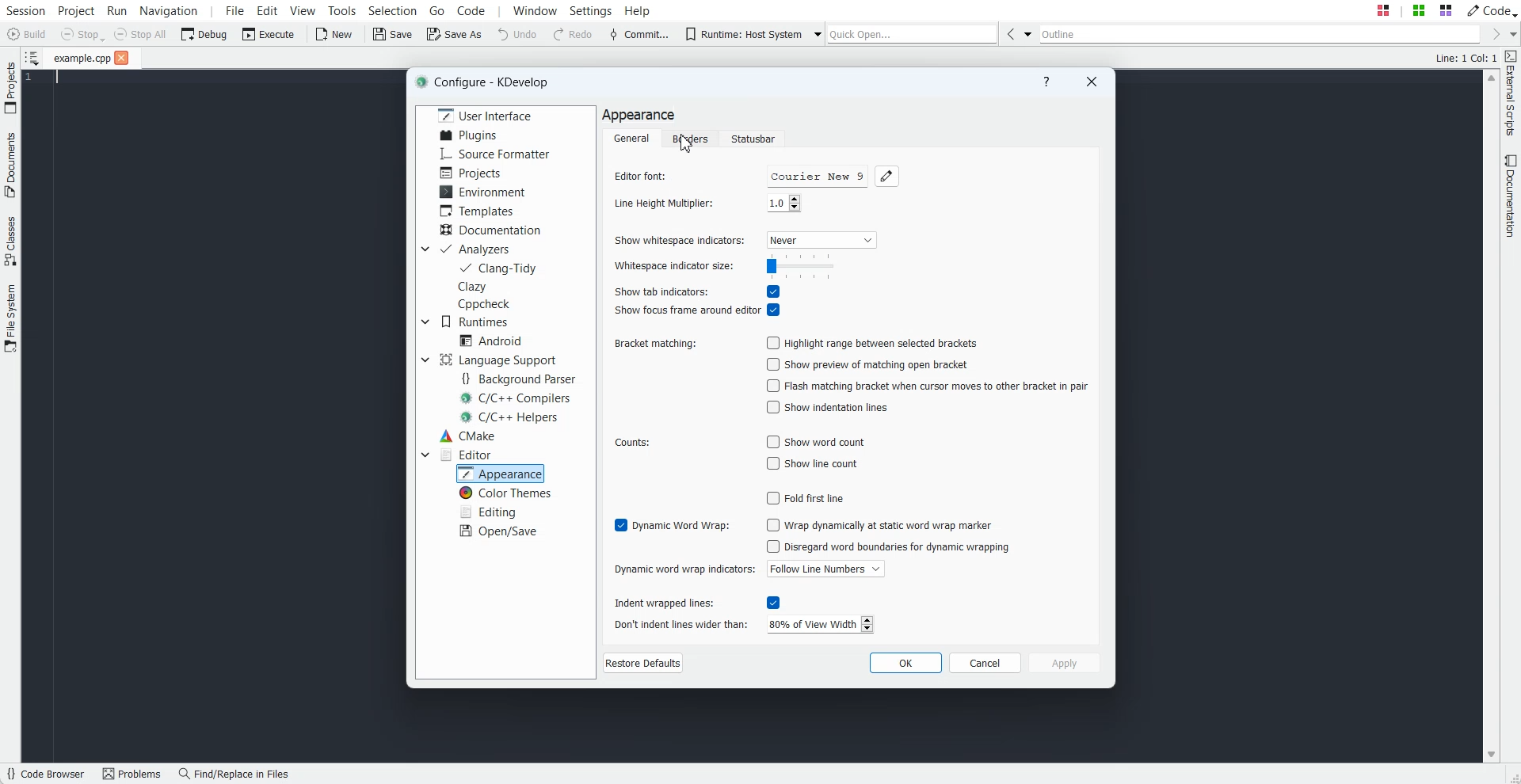 The height and width of the screenshot is (784, 1521). I want to click on Borders, so click(691, 138).